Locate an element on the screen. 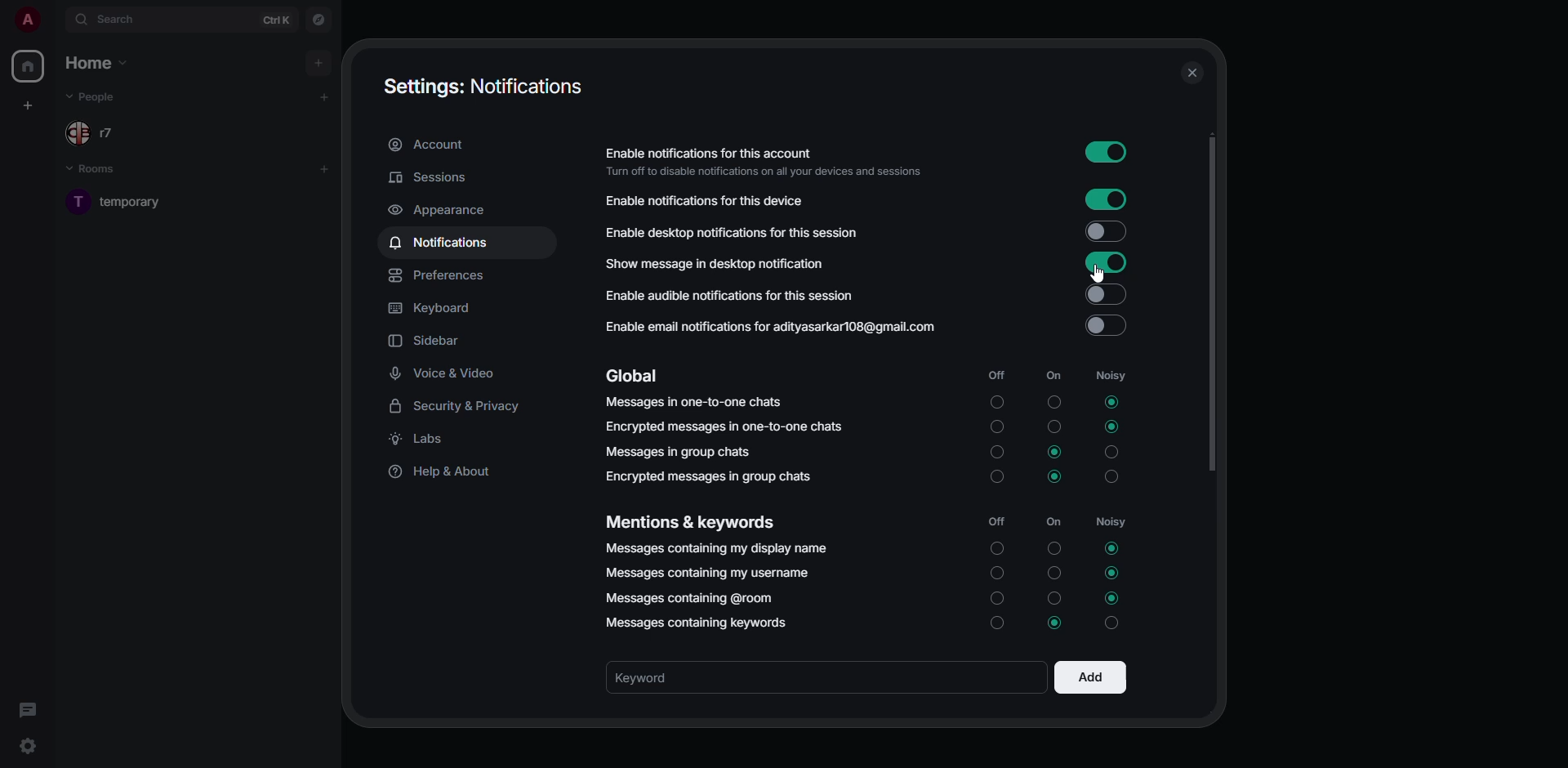  navigator is located at coordinates (318, 20).